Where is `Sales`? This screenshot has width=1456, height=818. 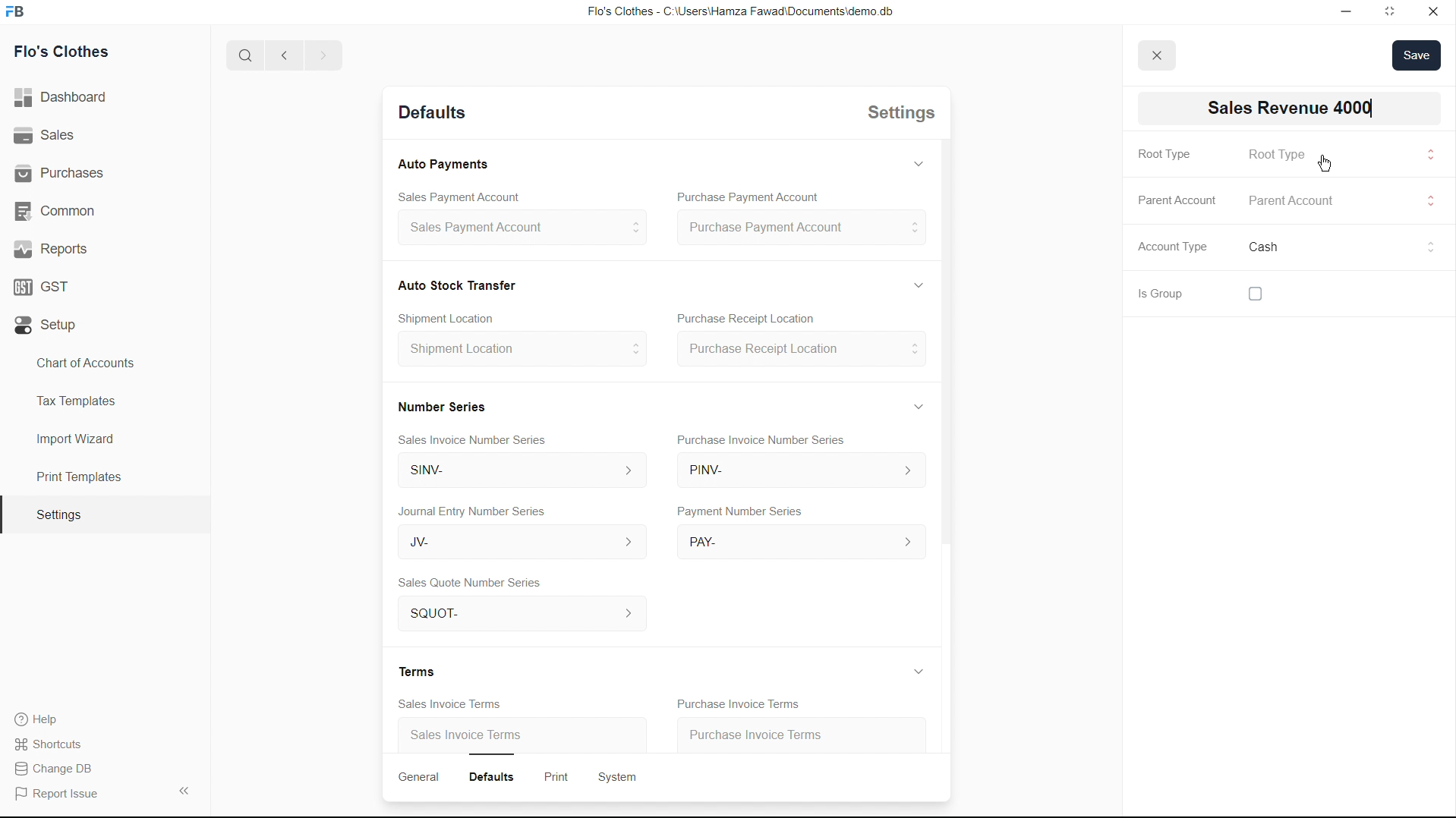 Sales is located at coordinates (48, 136).